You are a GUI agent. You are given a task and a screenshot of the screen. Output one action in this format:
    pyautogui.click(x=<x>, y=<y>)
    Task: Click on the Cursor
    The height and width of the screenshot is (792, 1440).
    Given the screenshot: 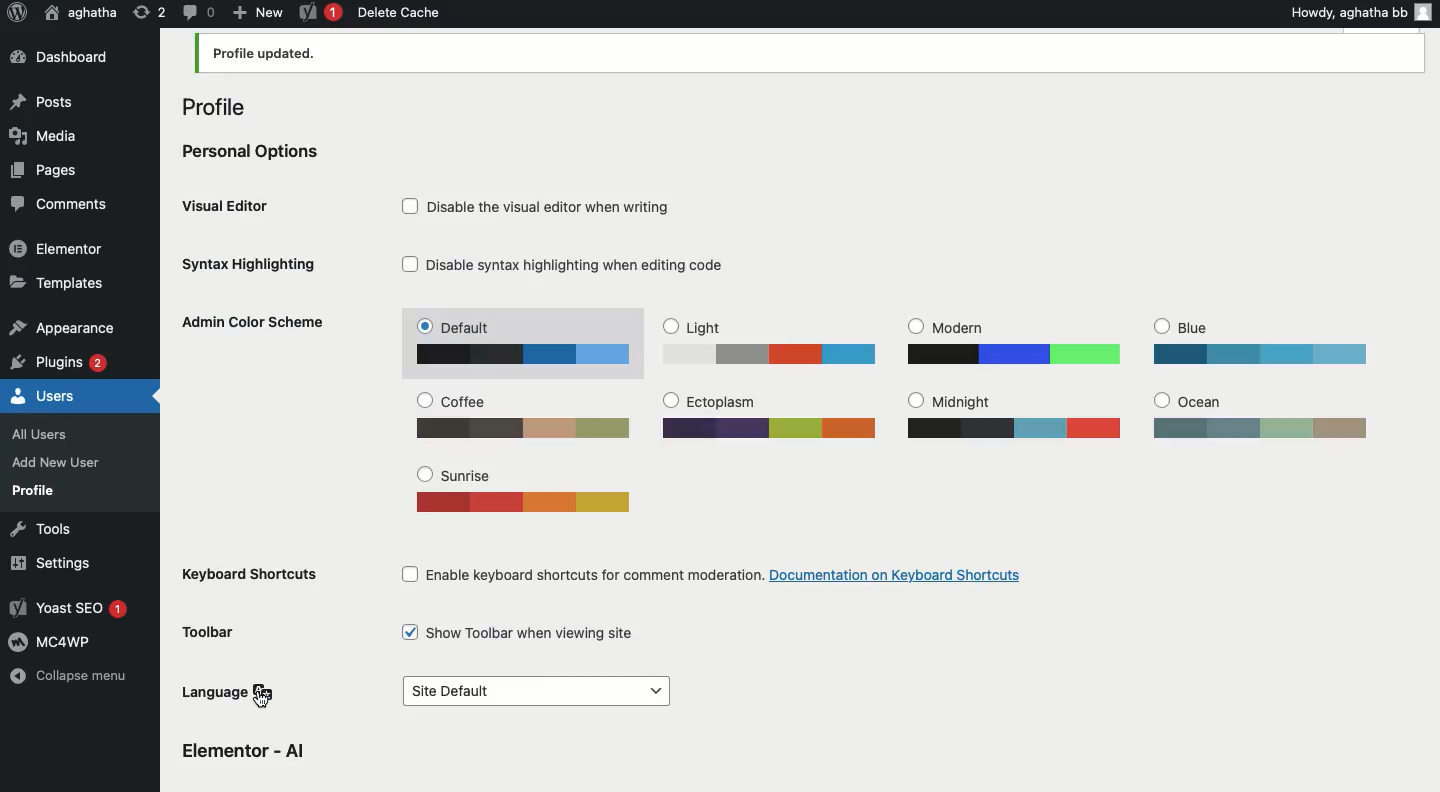 What is the action you would take?
    pyautogui.click(x=263, y=700)
    